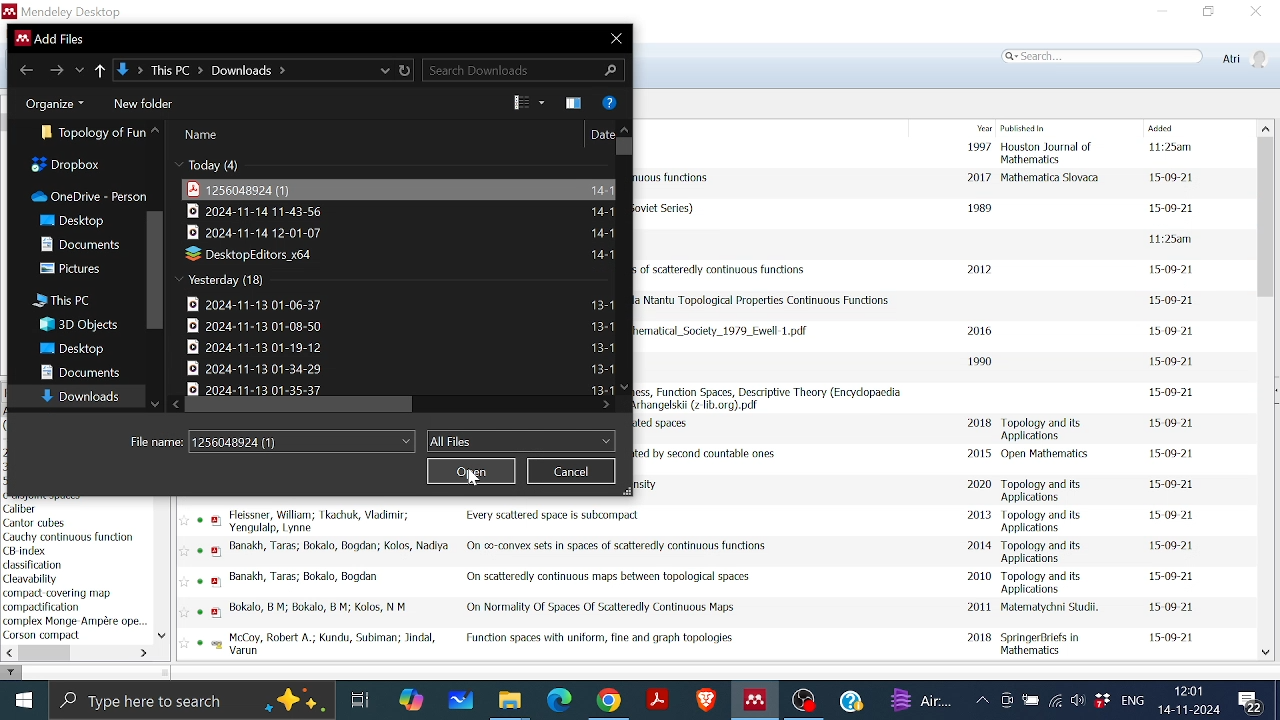 This screenshot has width=1280, height=720. I want to click on Notifications, so click(1254, 701).